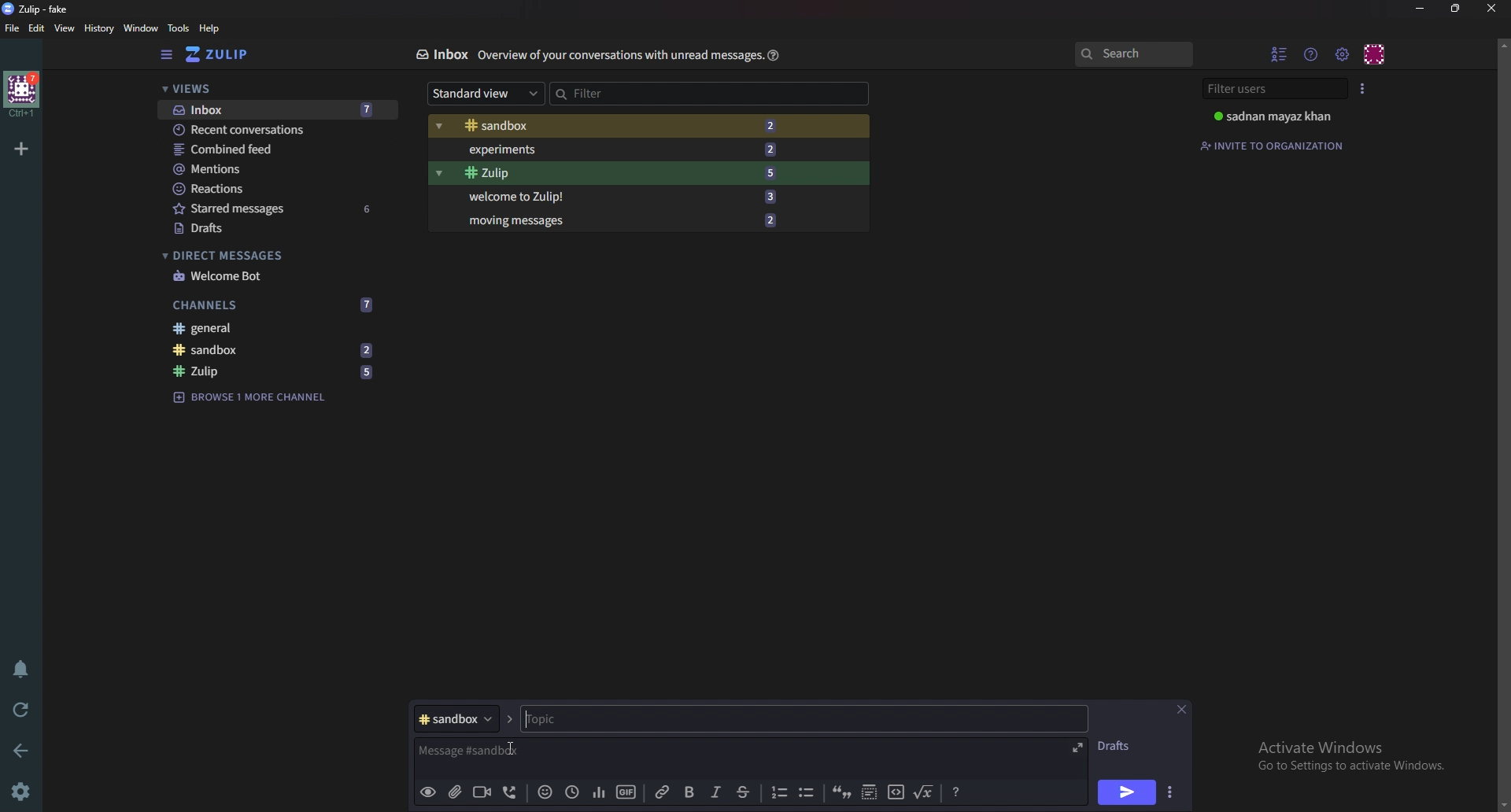 The image size is (1511, 812). Describe the element at coordinates (1281, 116) in the screenshot. I see `User` at that location.